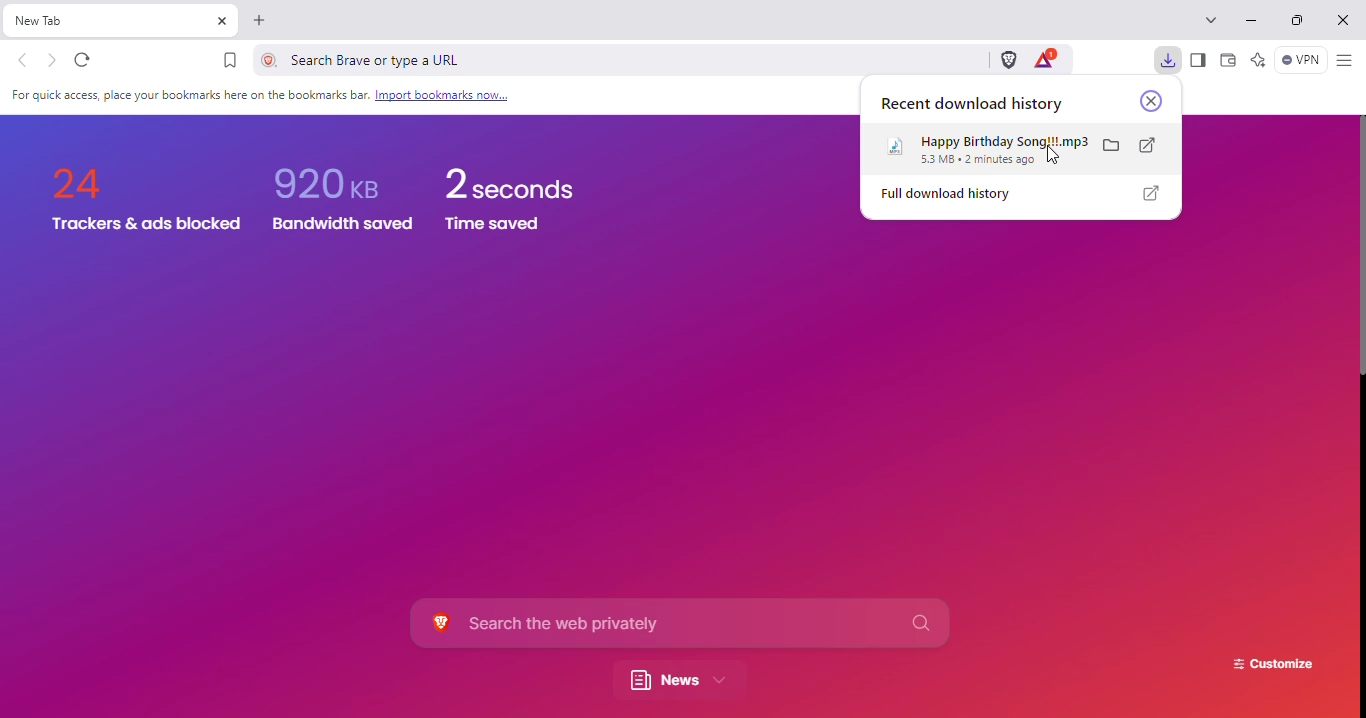 This screenshot has width=1366, height=718. Describe the element at coordinates (231, 60) in the screenshot. I see `bookmark this tab` at that location.